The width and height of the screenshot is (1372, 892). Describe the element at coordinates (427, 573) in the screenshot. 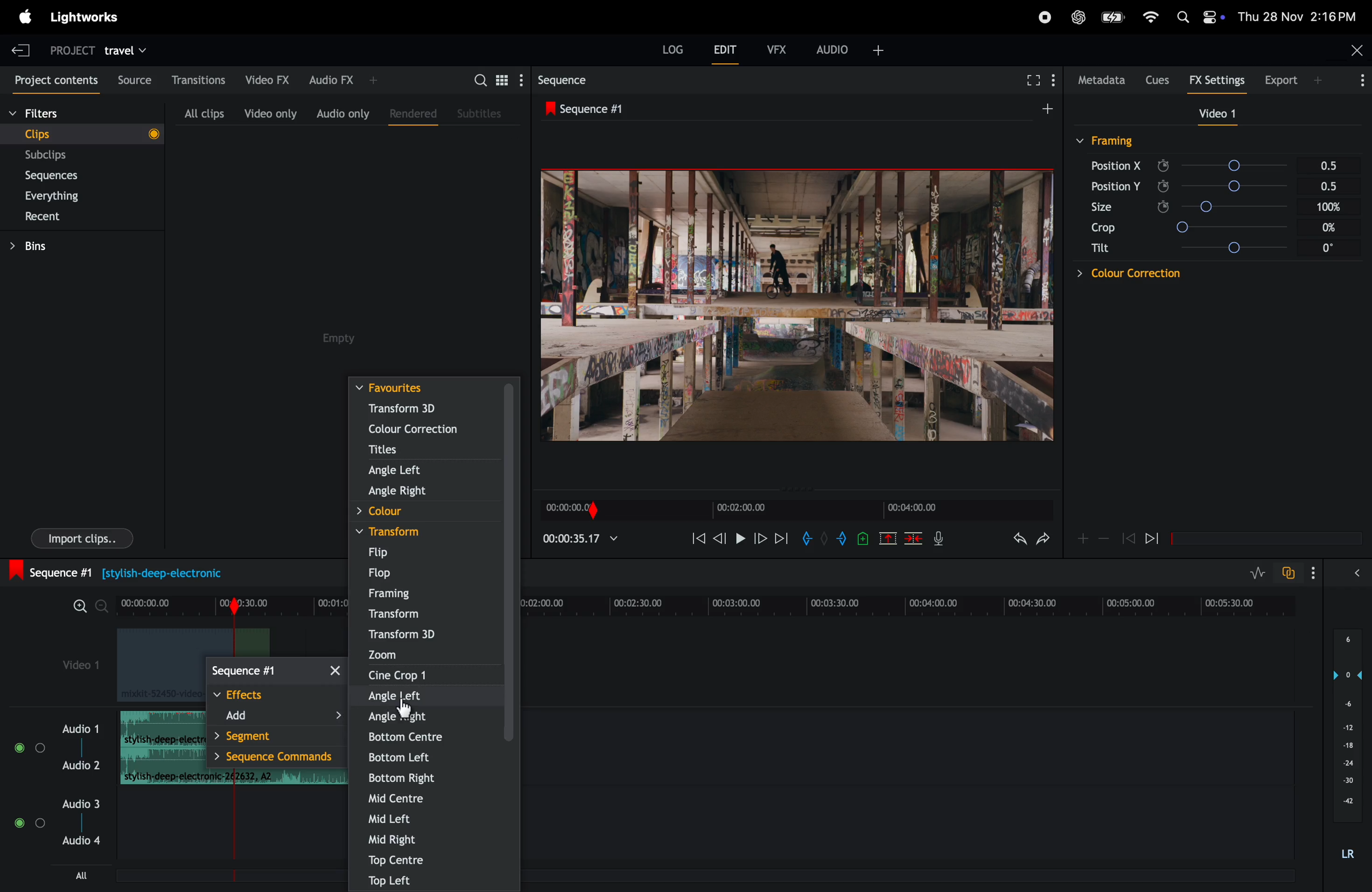

I see `flop` at that location.